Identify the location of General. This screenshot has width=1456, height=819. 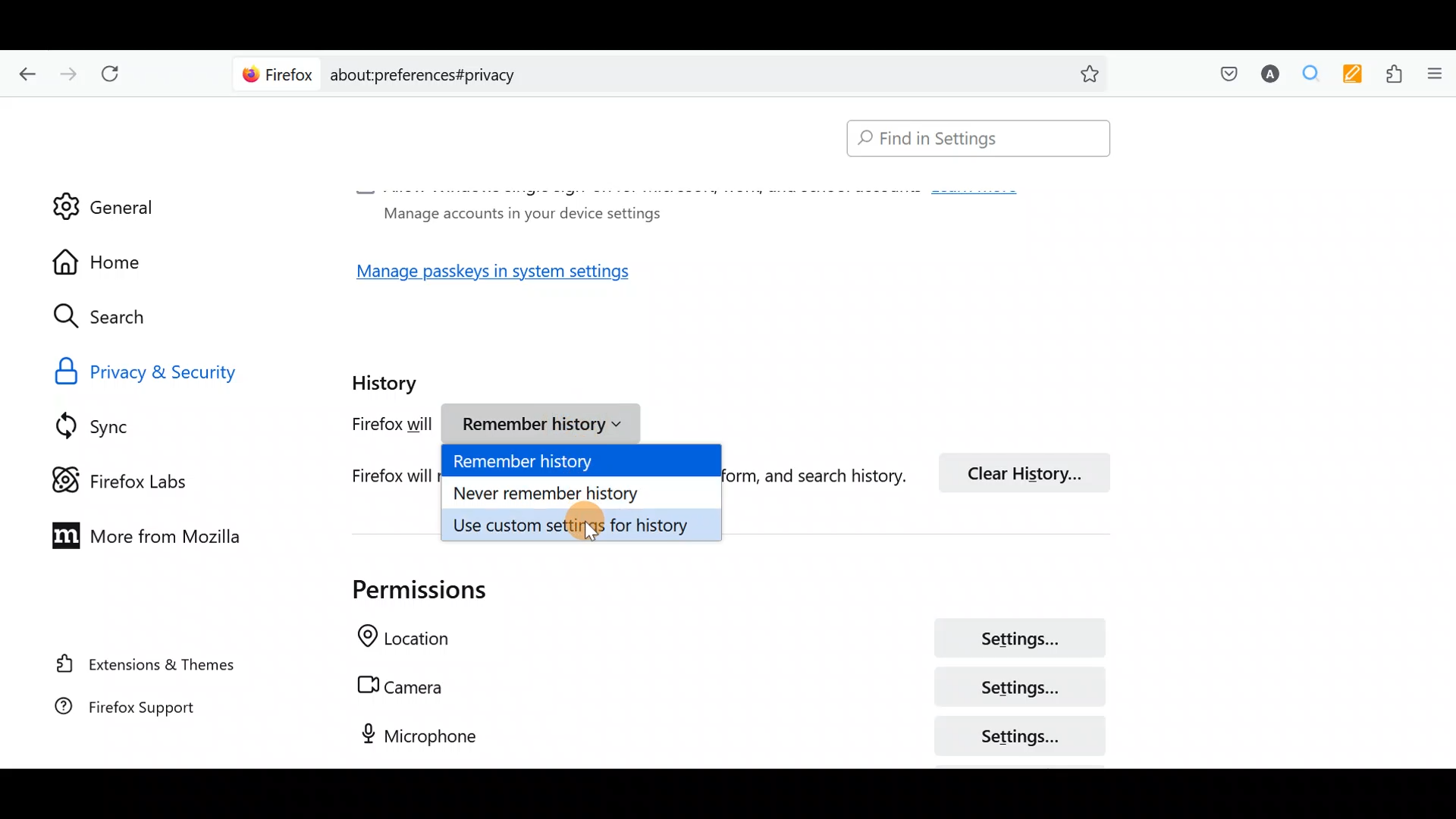
(104, 196).